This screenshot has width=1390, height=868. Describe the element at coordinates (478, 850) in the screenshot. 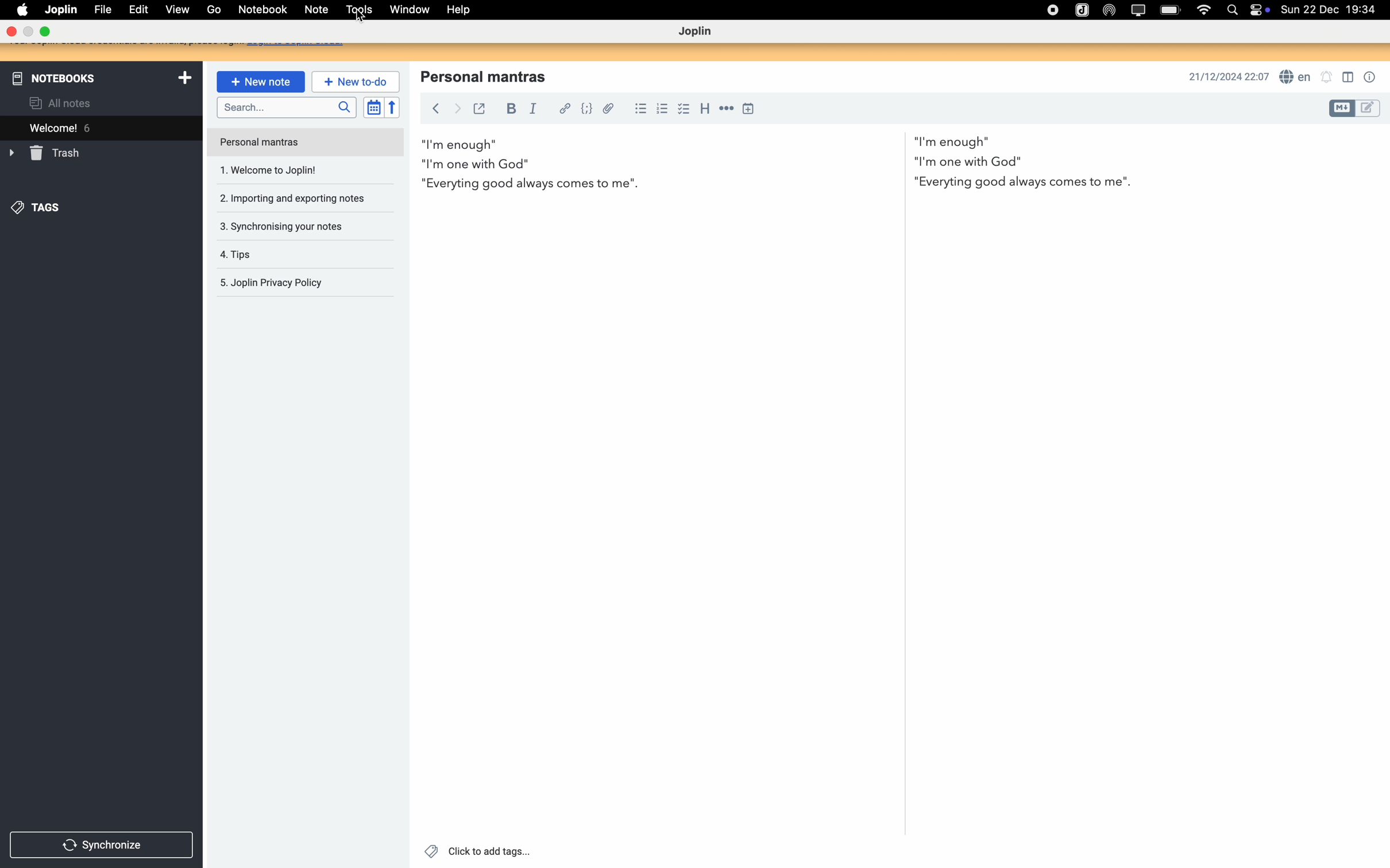

I see `click to add tags` at that location.